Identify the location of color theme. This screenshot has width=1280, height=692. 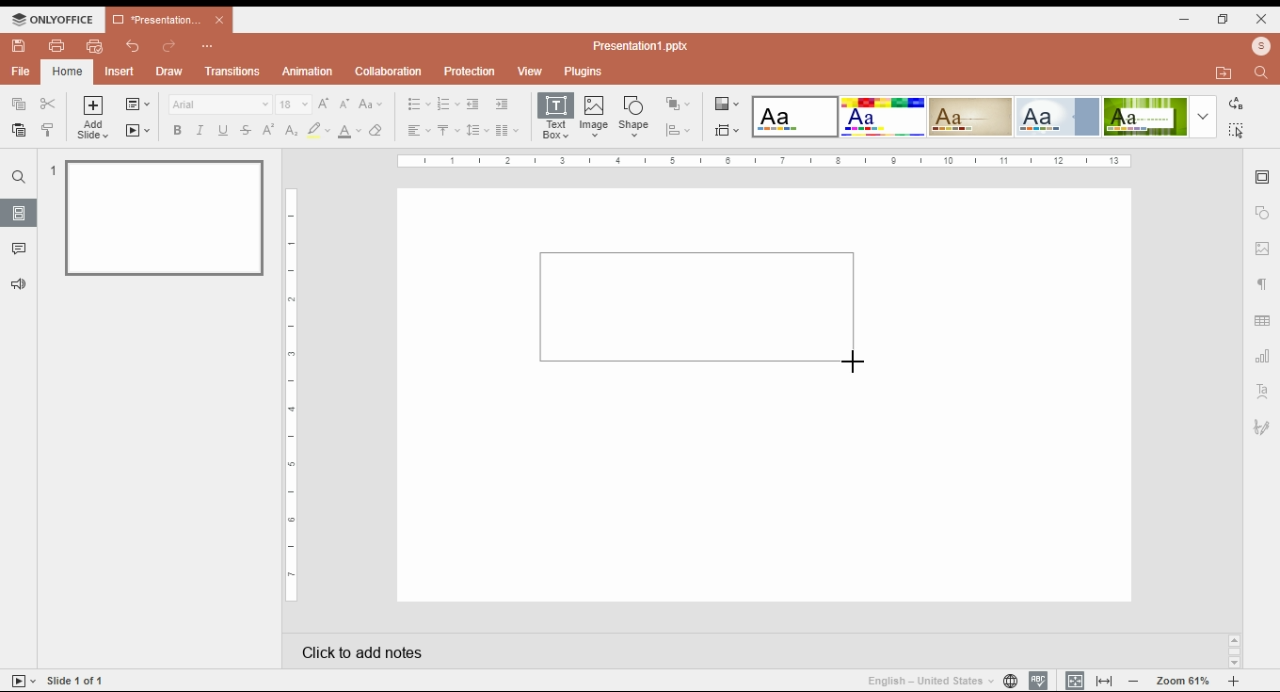
(795, 117).